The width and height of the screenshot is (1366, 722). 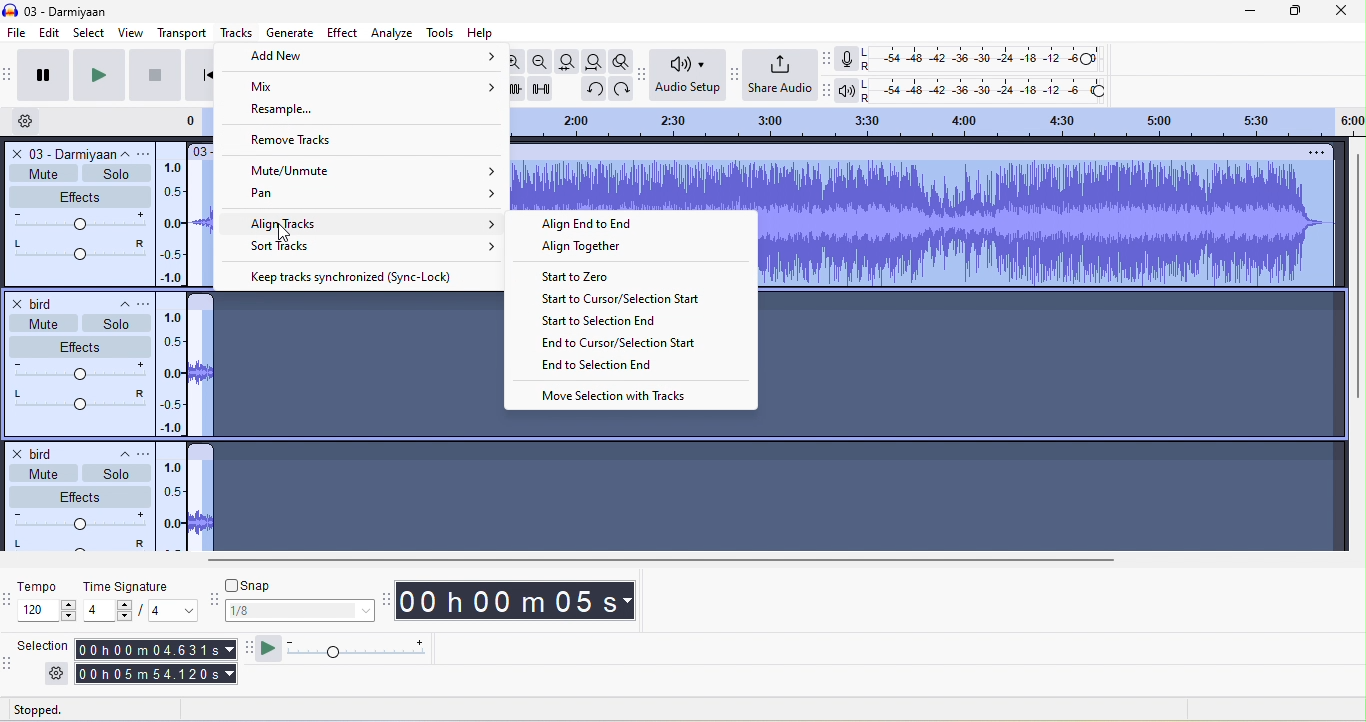 I want to click on open menu, so click(x=144, y=450).